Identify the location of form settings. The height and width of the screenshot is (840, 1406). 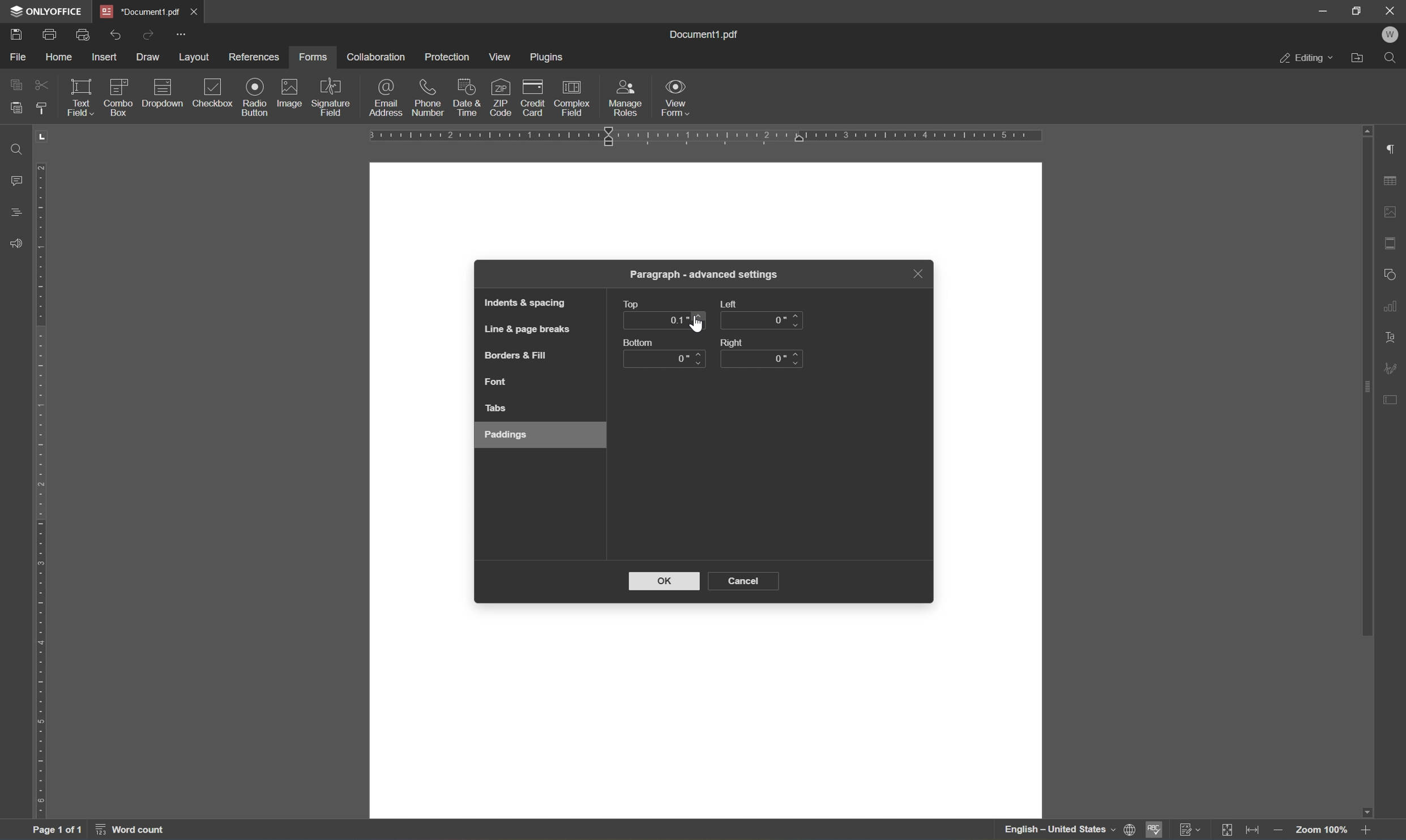
(1394, 398).